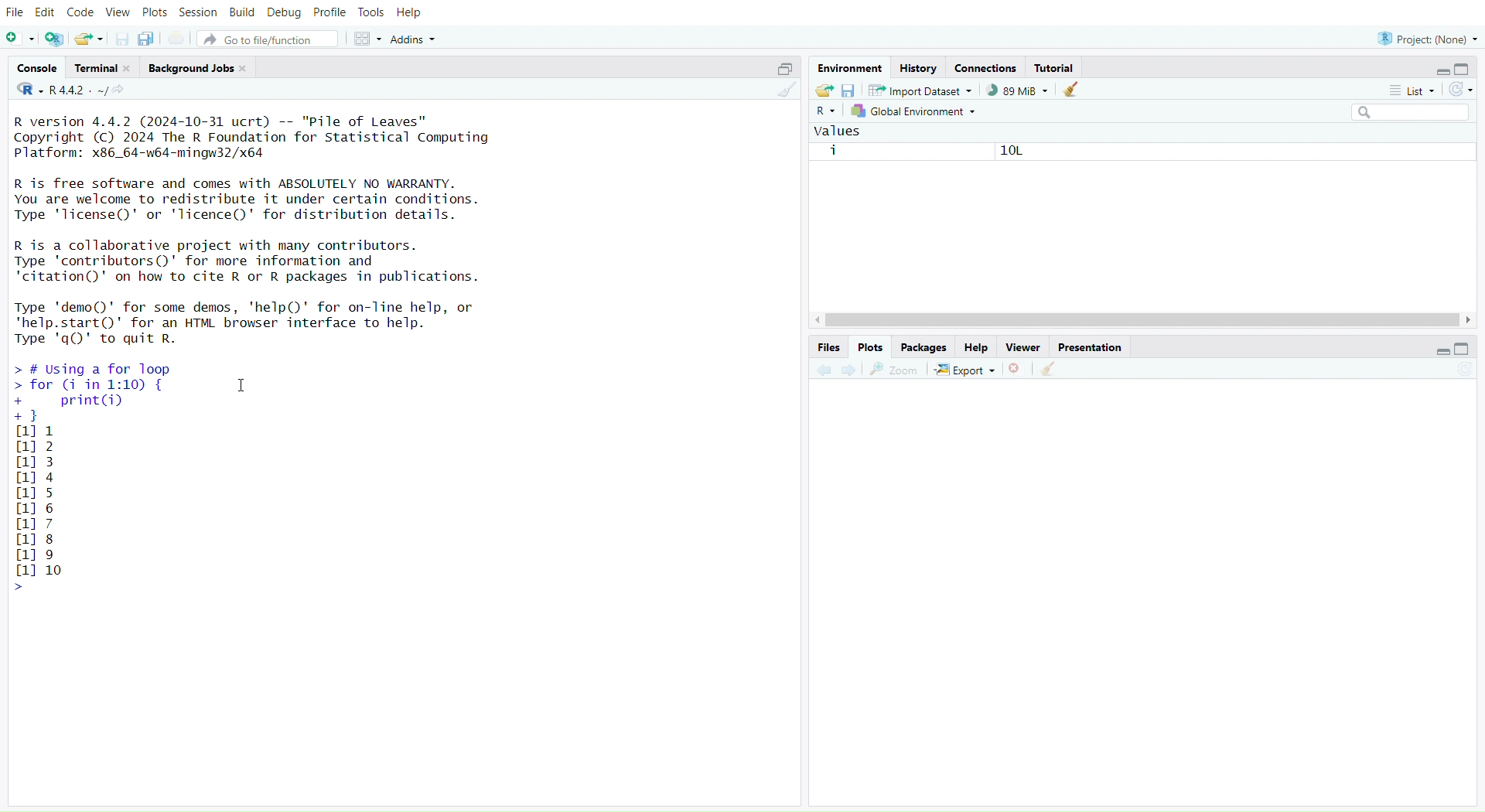 This screenshot has height=812, width=1485. I want to click on help, so click(977, 346).